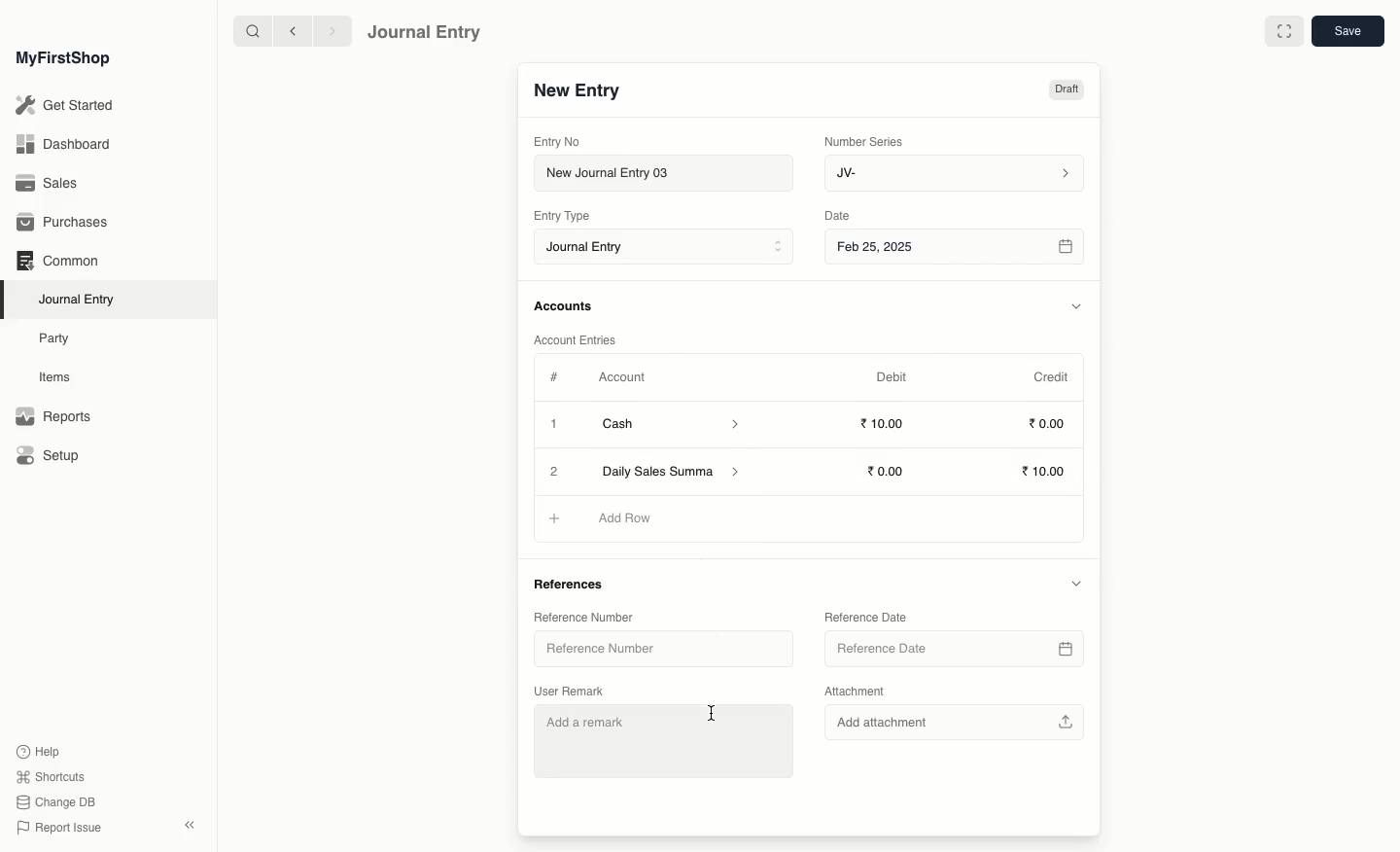 This screenshot has width=1400, height=852. What do you see at coordinates (573, 689) in the screenshot?
I see `User Remark` at bounding box center [573, 689].